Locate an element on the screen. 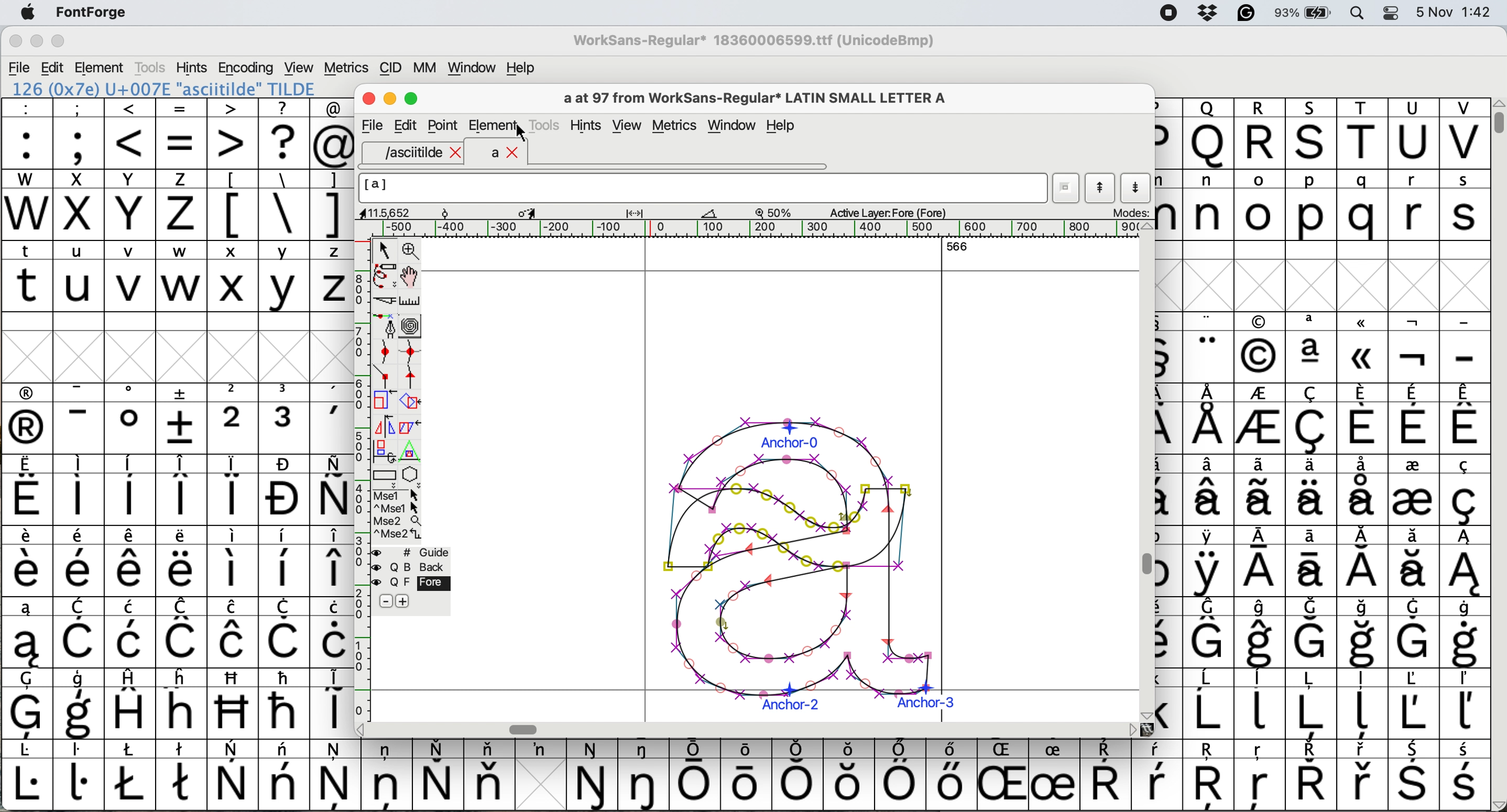  z is located at coordinates (181, 204).